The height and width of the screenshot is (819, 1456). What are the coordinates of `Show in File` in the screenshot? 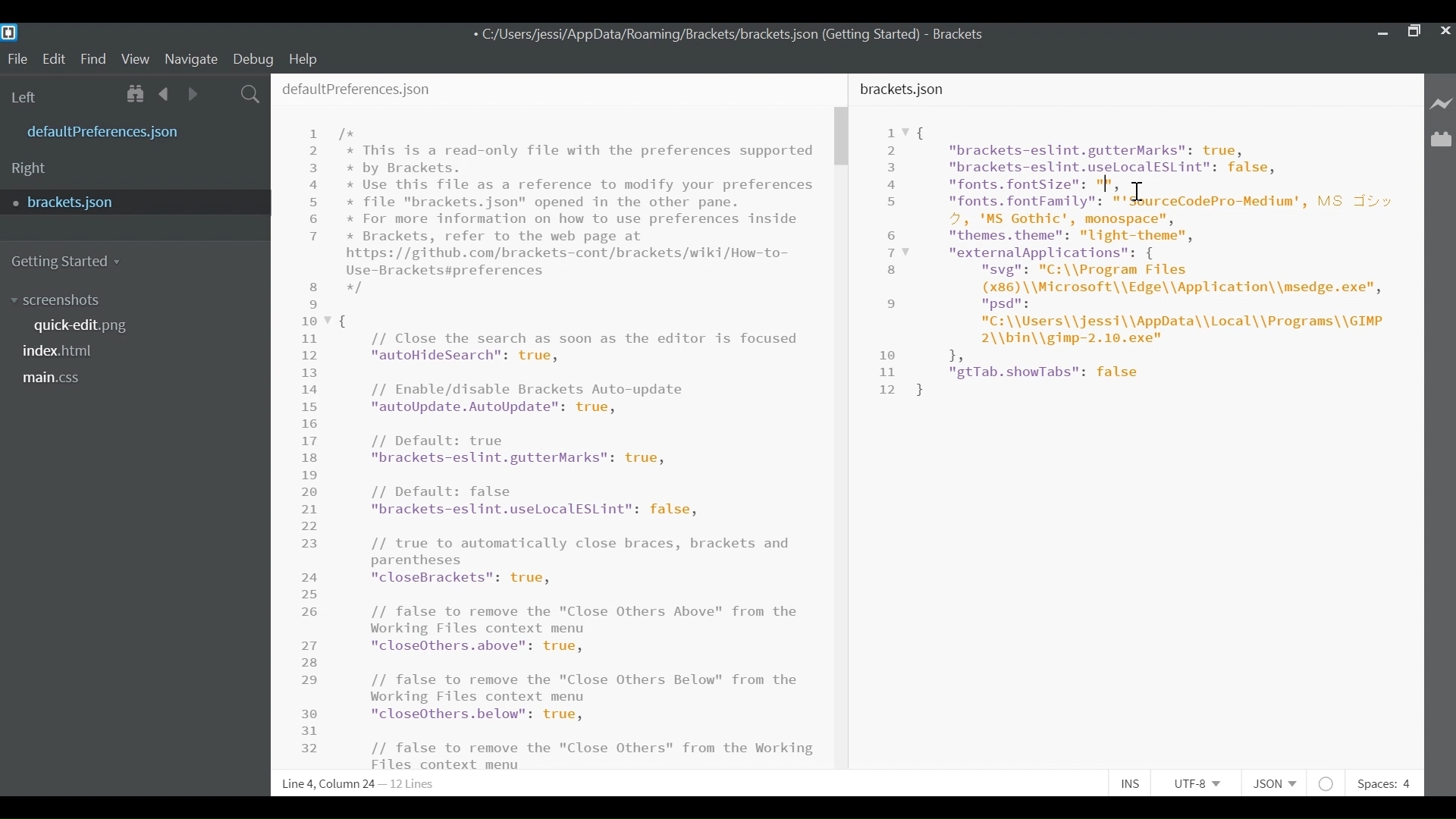 It's located at (136, 95).